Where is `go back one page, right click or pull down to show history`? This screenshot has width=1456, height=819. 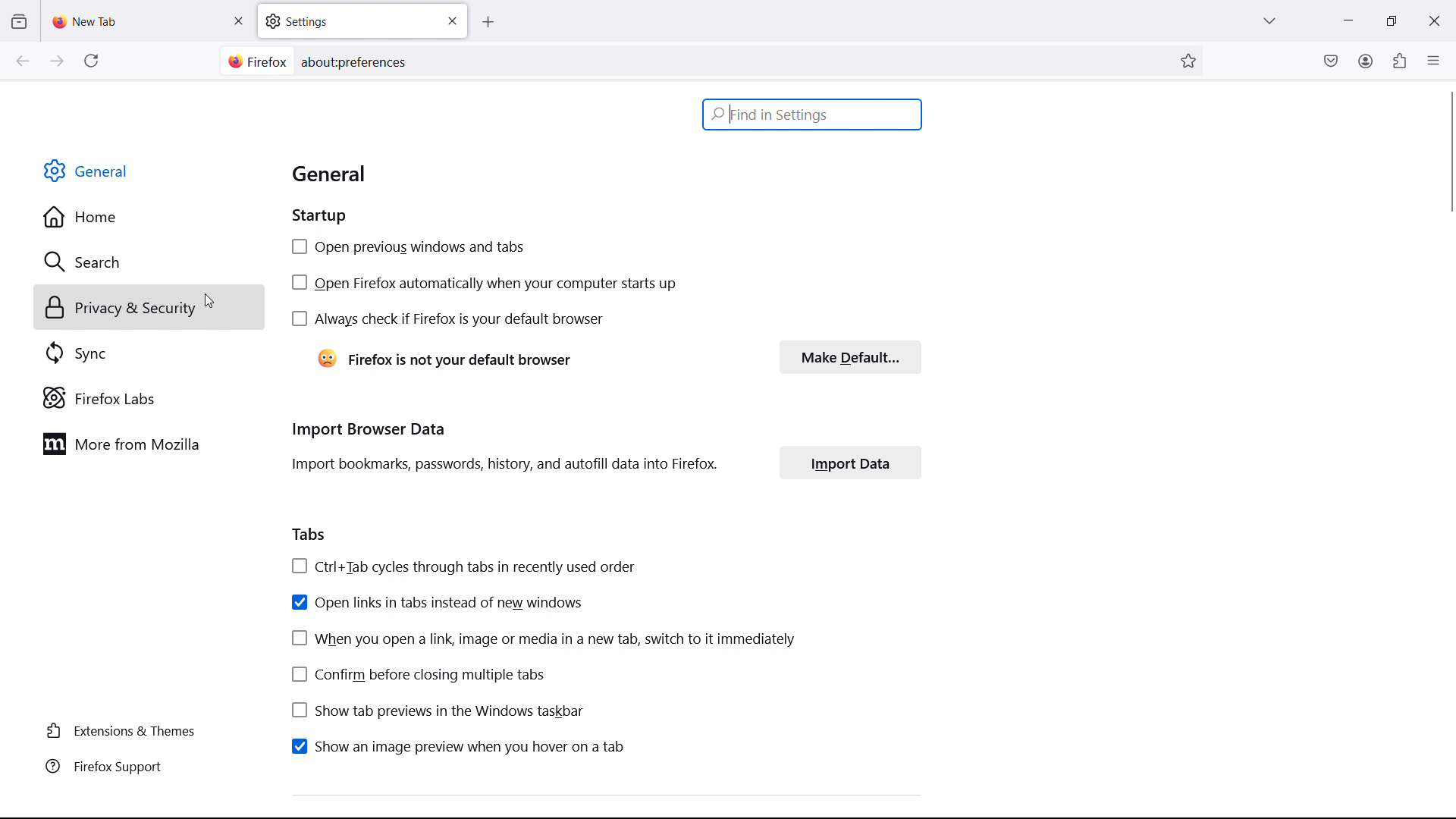 go back one page, right click or pull down to show history is located at coordinates (22, 61).